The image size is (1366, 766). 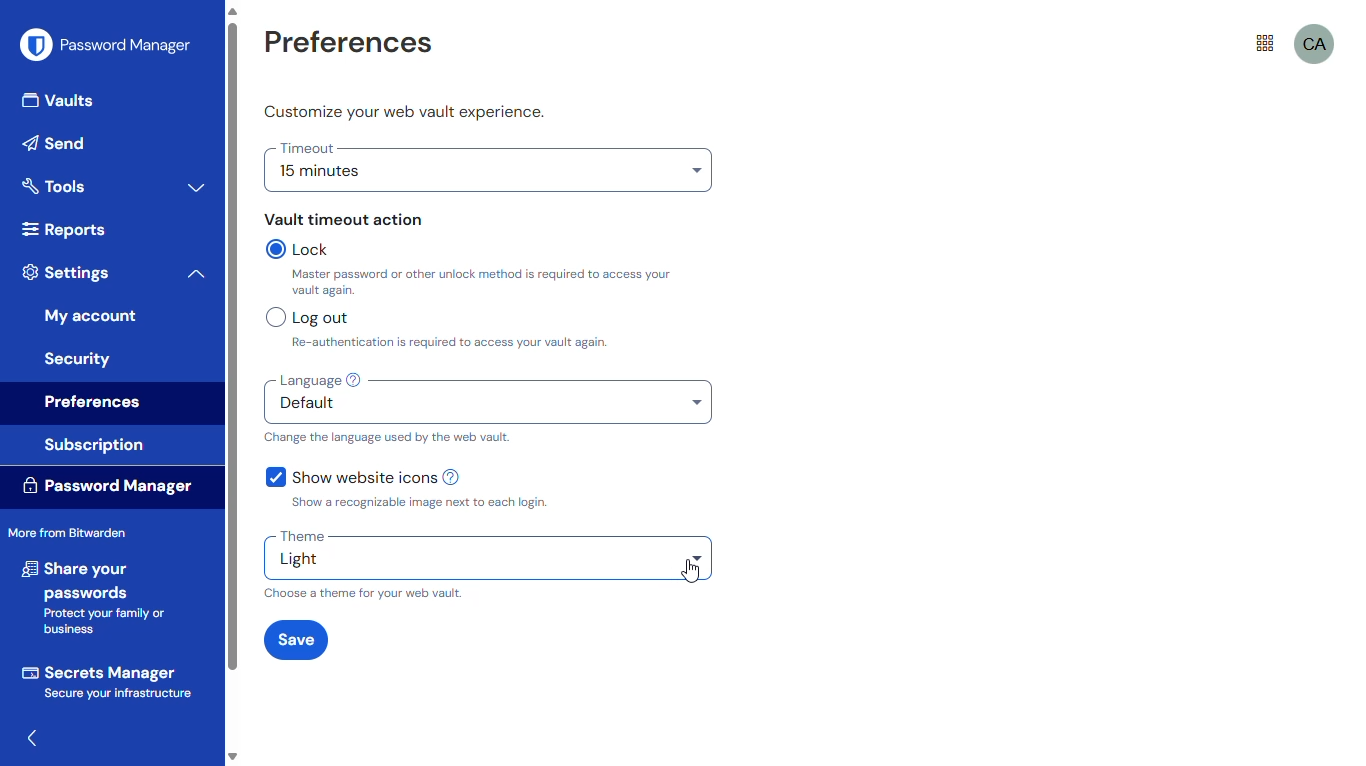 I want to click on lock, so click(x=302, y=249).